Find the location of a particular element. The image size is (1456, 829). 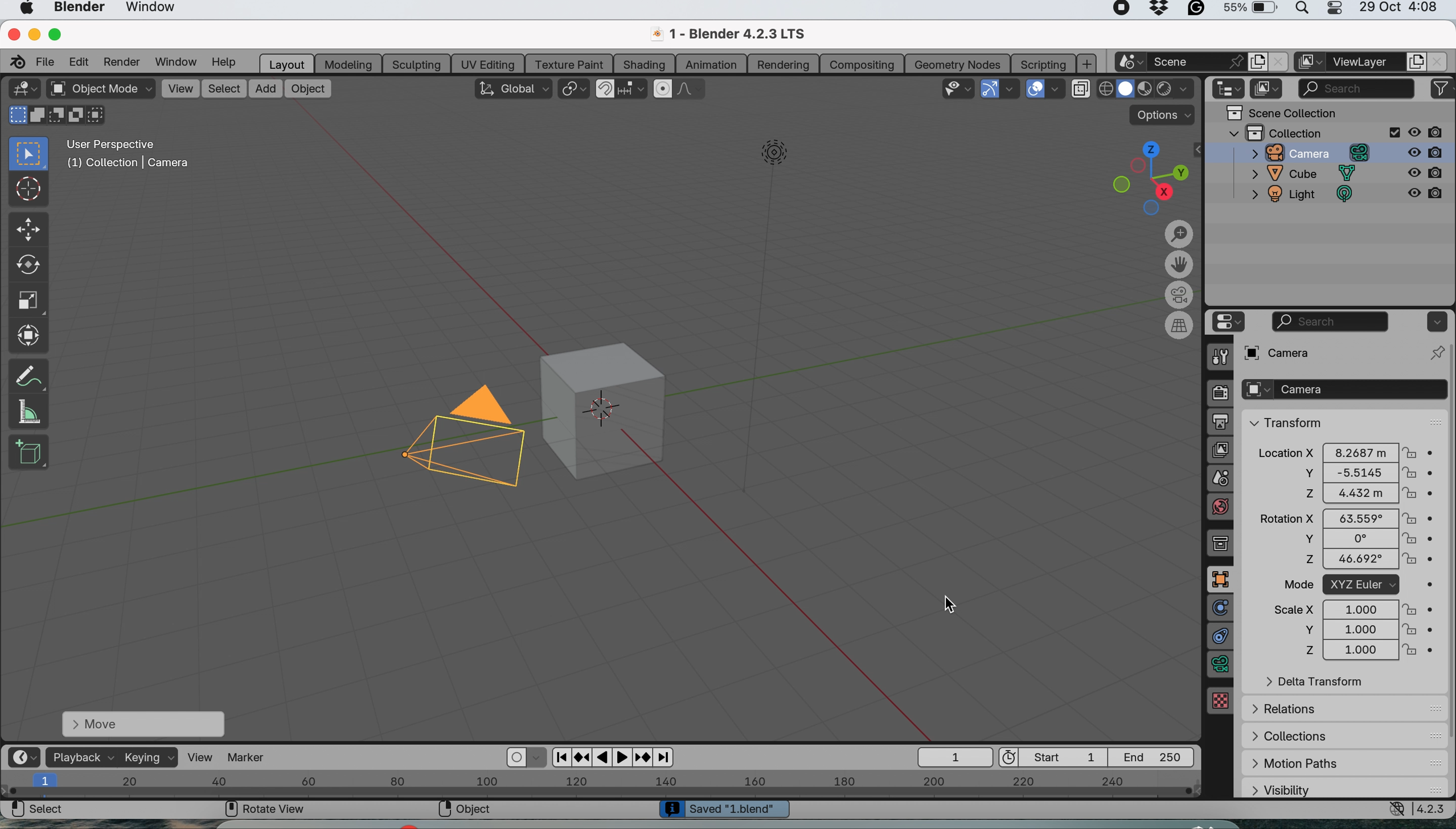

texture paint is located at coordinates (571, 63).